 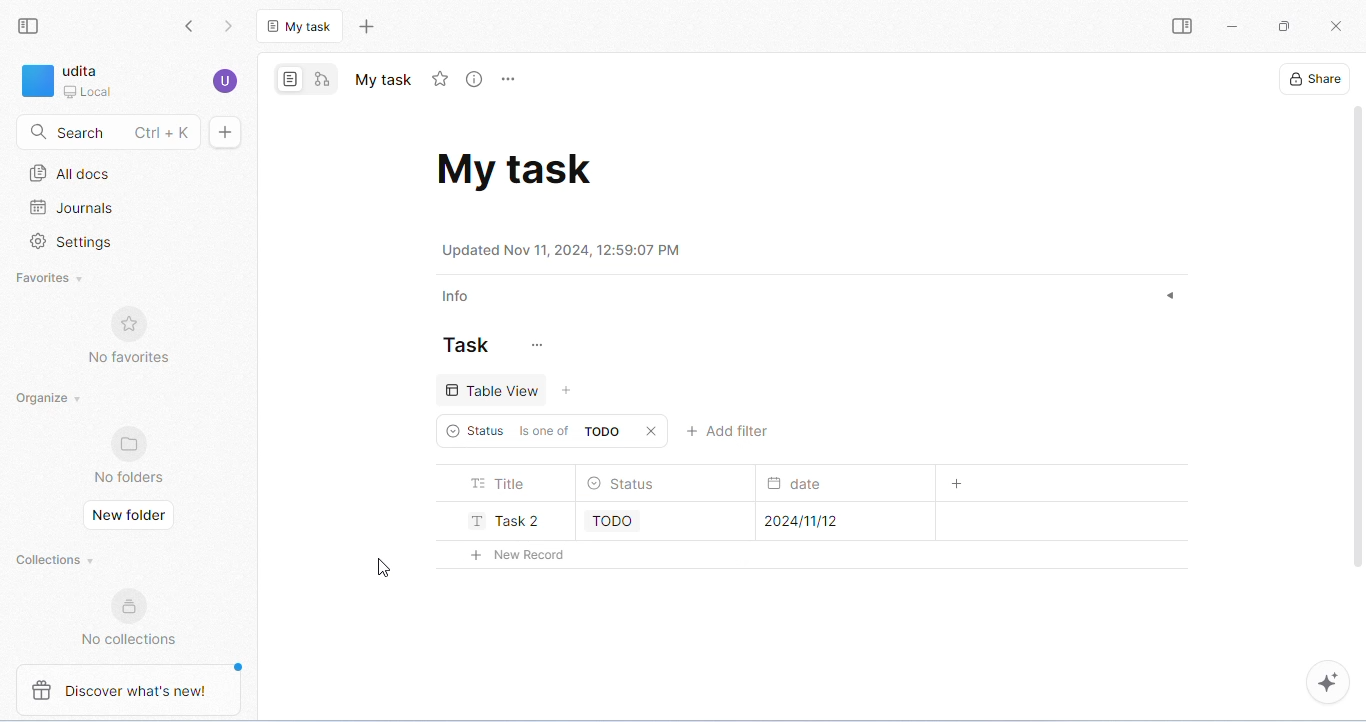 What do you see at coordinates (72, 244) in the screenshot?
I see `settings` at bounding box center [72, 244].